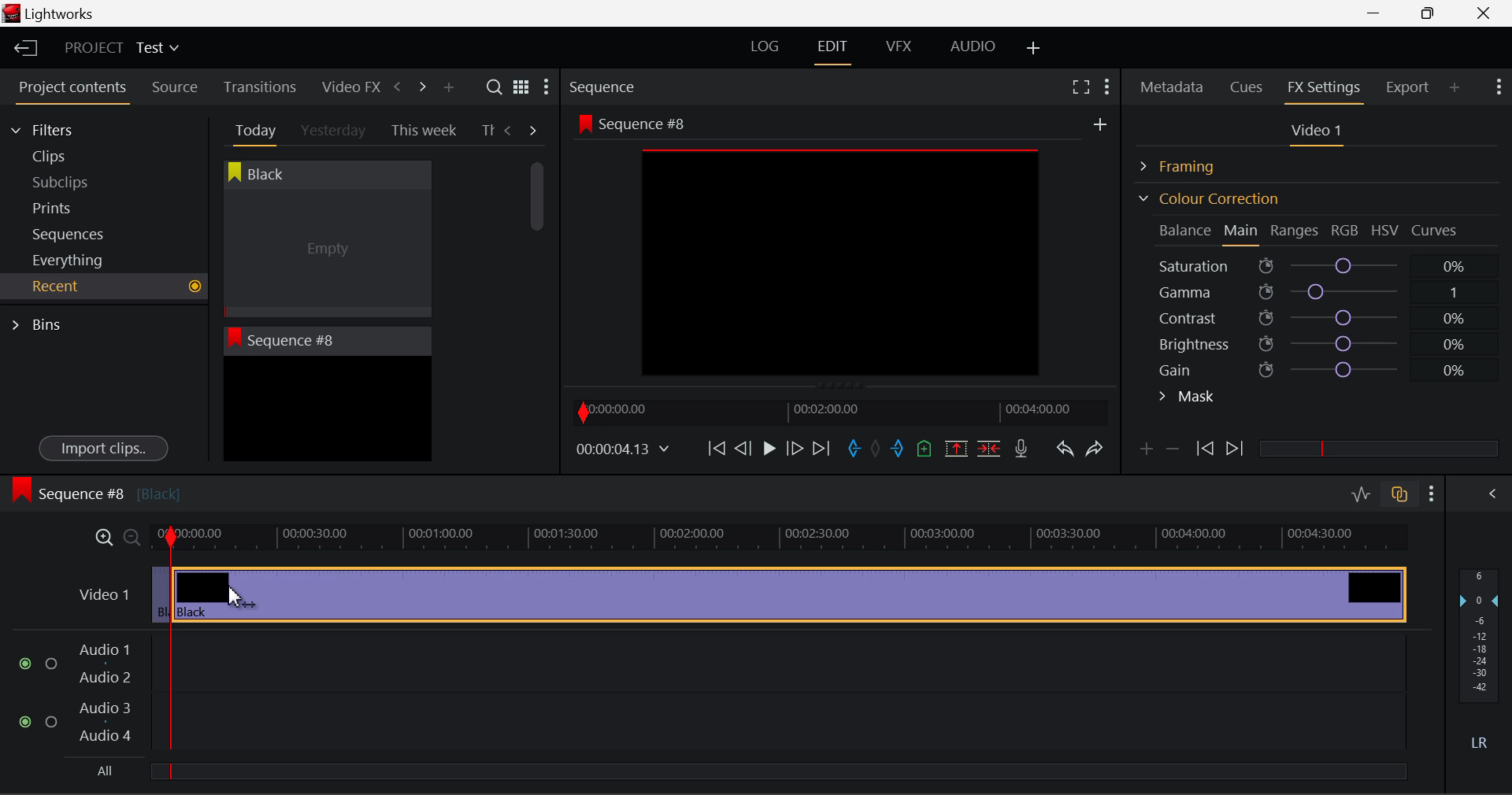 This screenshot has width=1512, height=795. I want to click on Subclips, so click(76, 182).